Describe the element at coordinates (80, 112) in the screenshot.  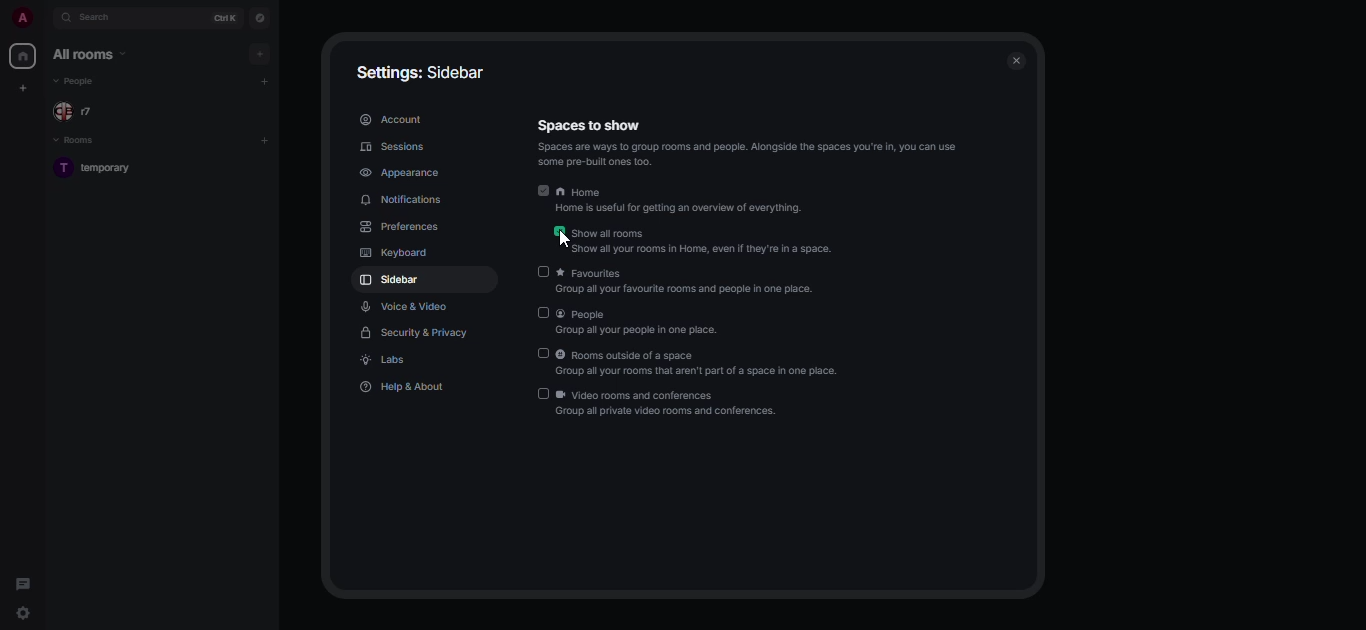
I see `people` at that location.